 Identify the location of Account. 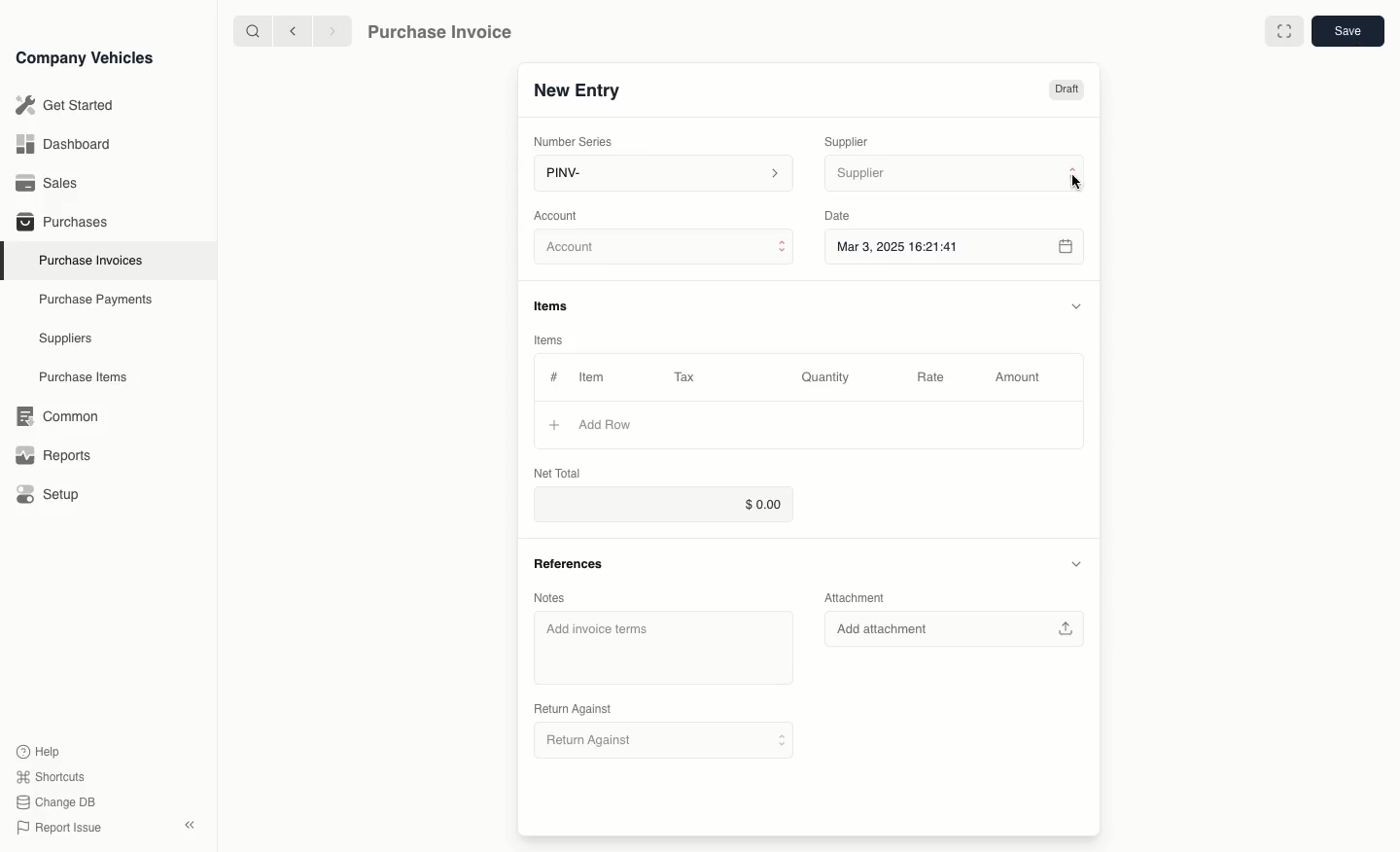
(556, 214).